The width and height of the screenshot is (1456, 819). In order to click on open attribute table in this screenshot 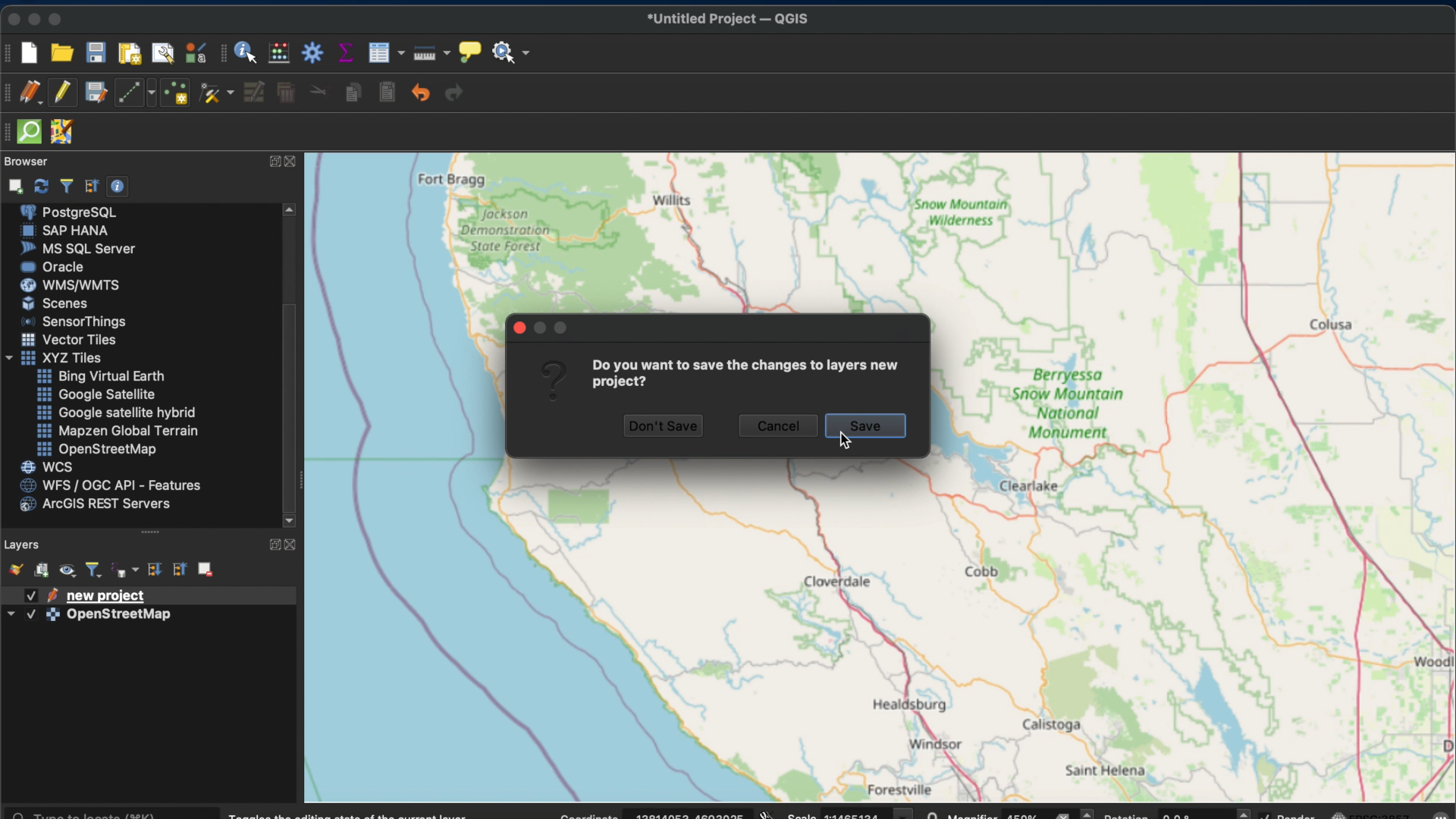, I will do `click(385, 52)`.